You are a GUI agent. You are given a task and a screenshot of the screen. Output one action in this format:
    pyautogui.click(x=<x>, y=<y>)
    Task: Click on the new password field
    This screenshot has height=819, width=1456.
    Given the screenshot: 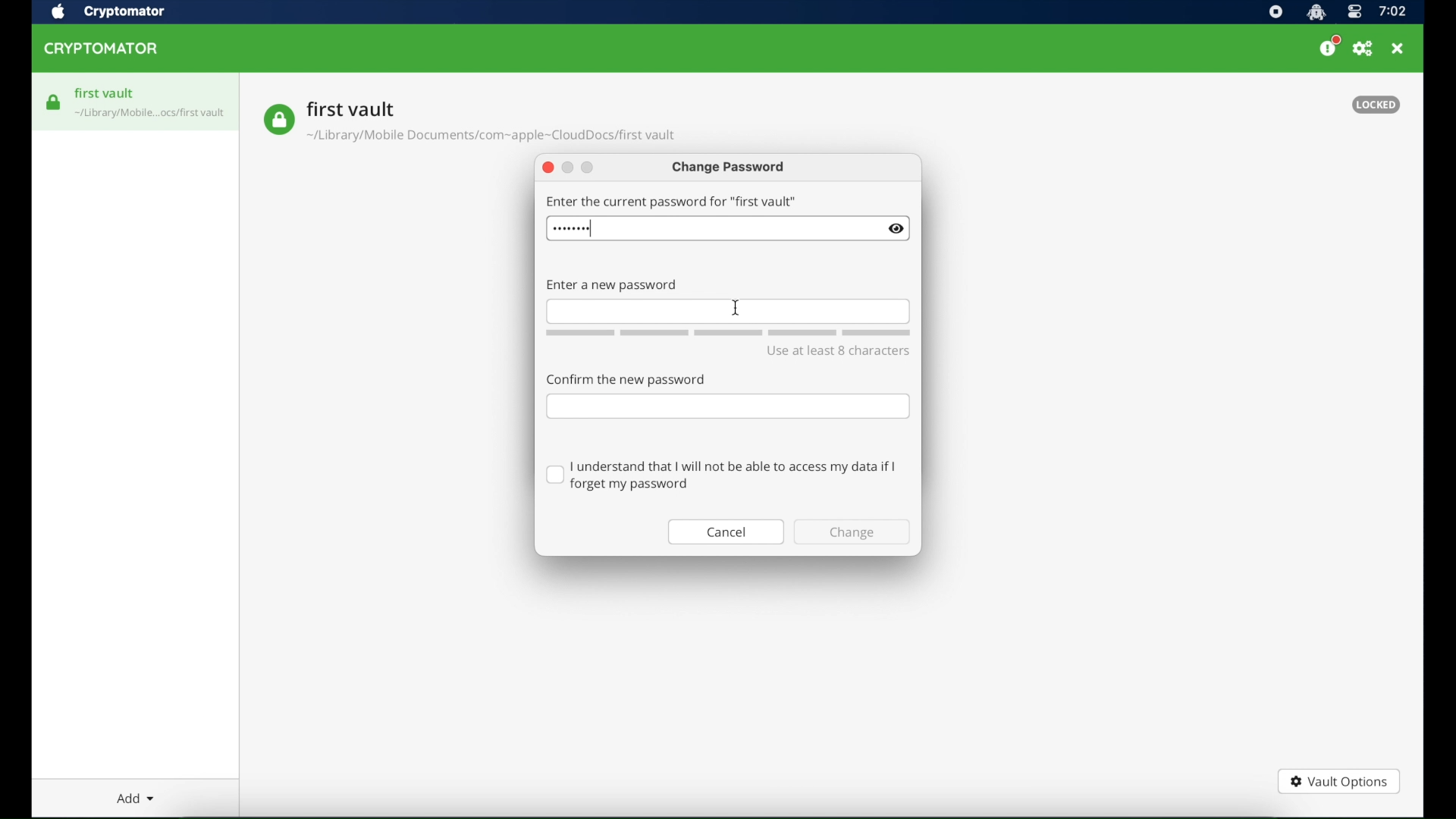 What is the action you would take?
    pyautogui.click(x=728, y=311)
    